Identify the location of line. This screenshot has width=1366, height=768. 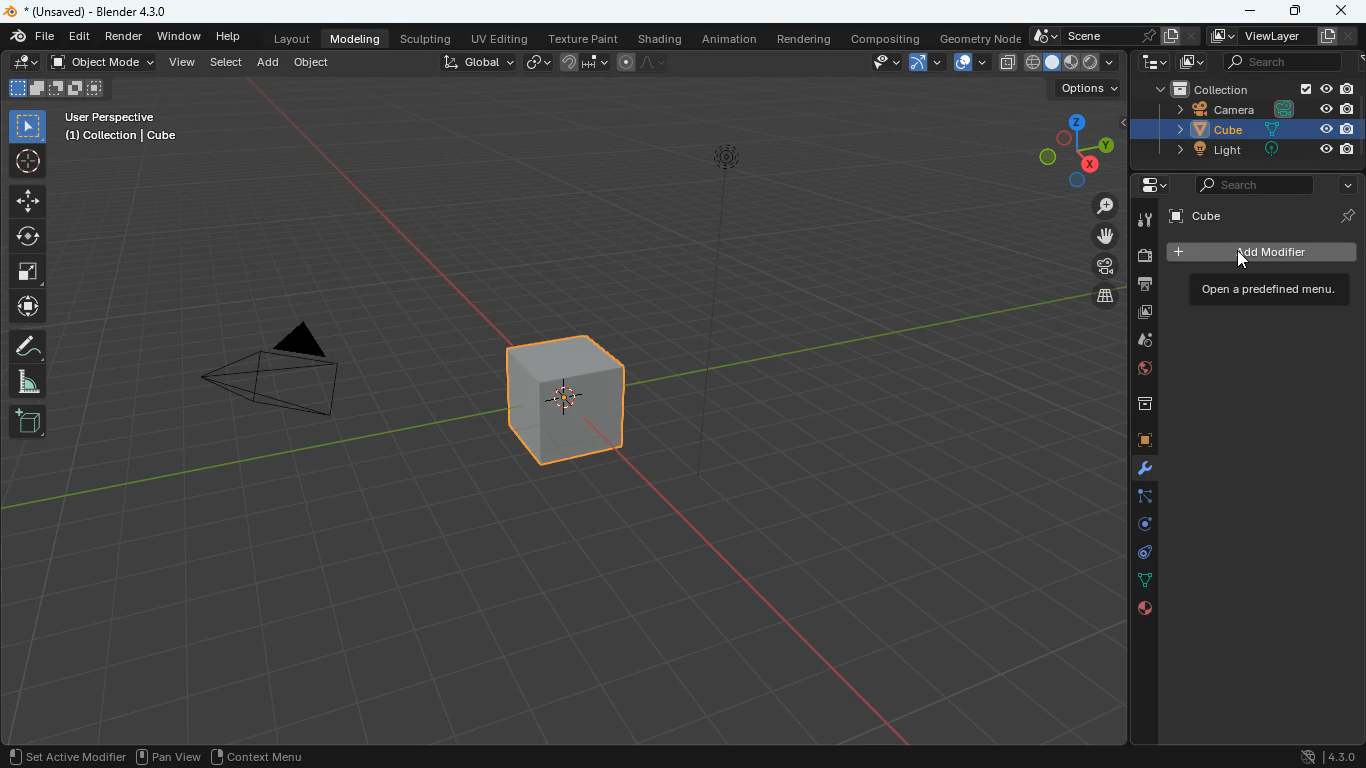
(645, 63).